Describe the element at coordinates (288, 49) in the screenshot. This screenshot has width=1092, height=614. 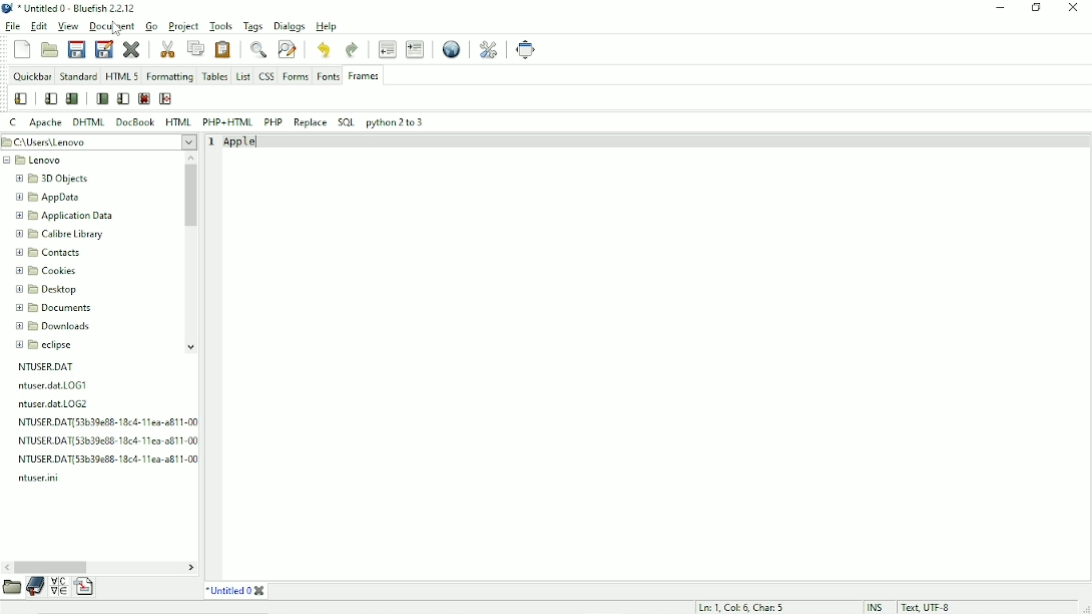
I see `Advanced find and replace ` at that location.